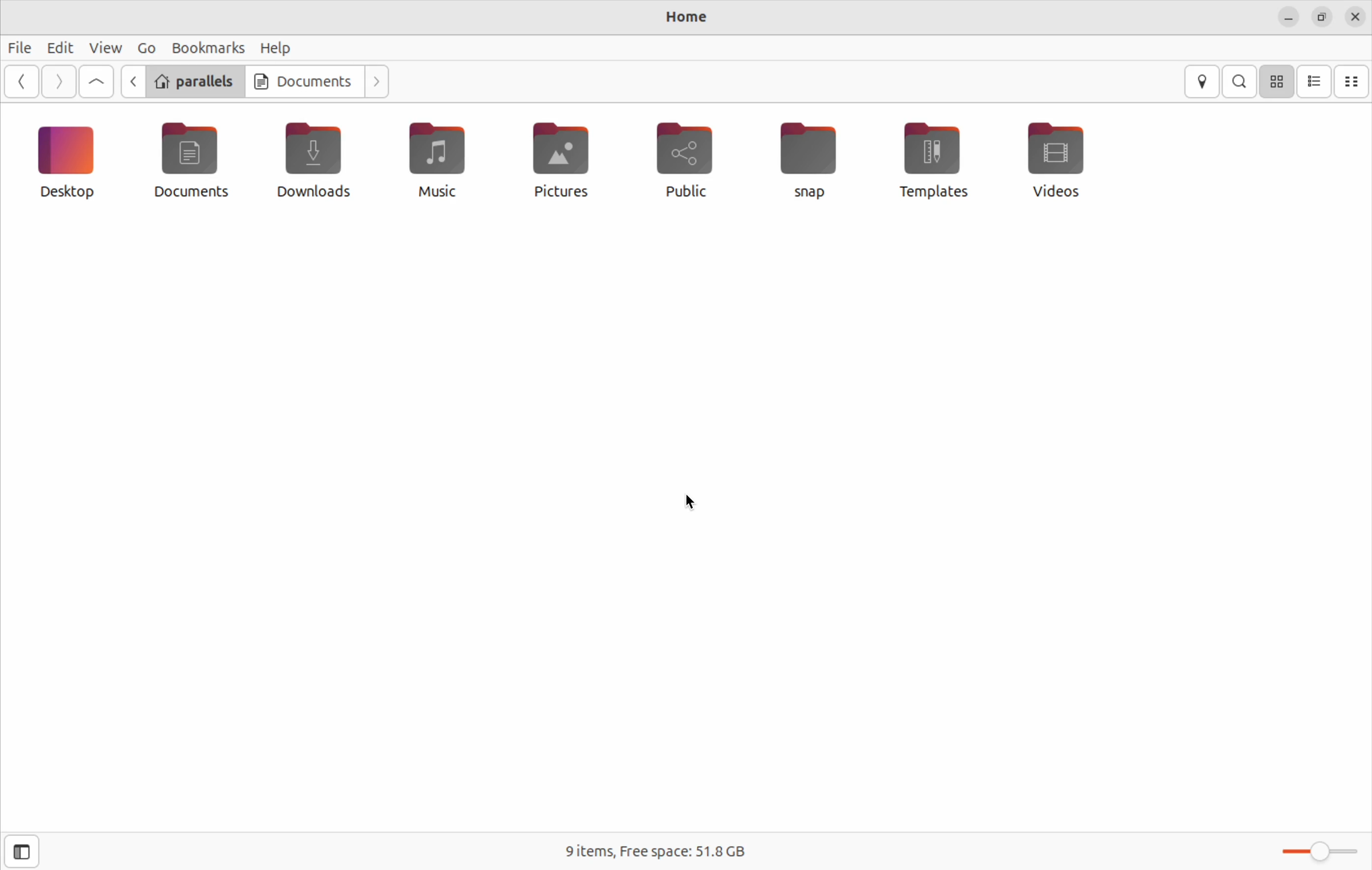  Describe the element at coordinates (23, 48) in the screenshot. I see `file` at that location.